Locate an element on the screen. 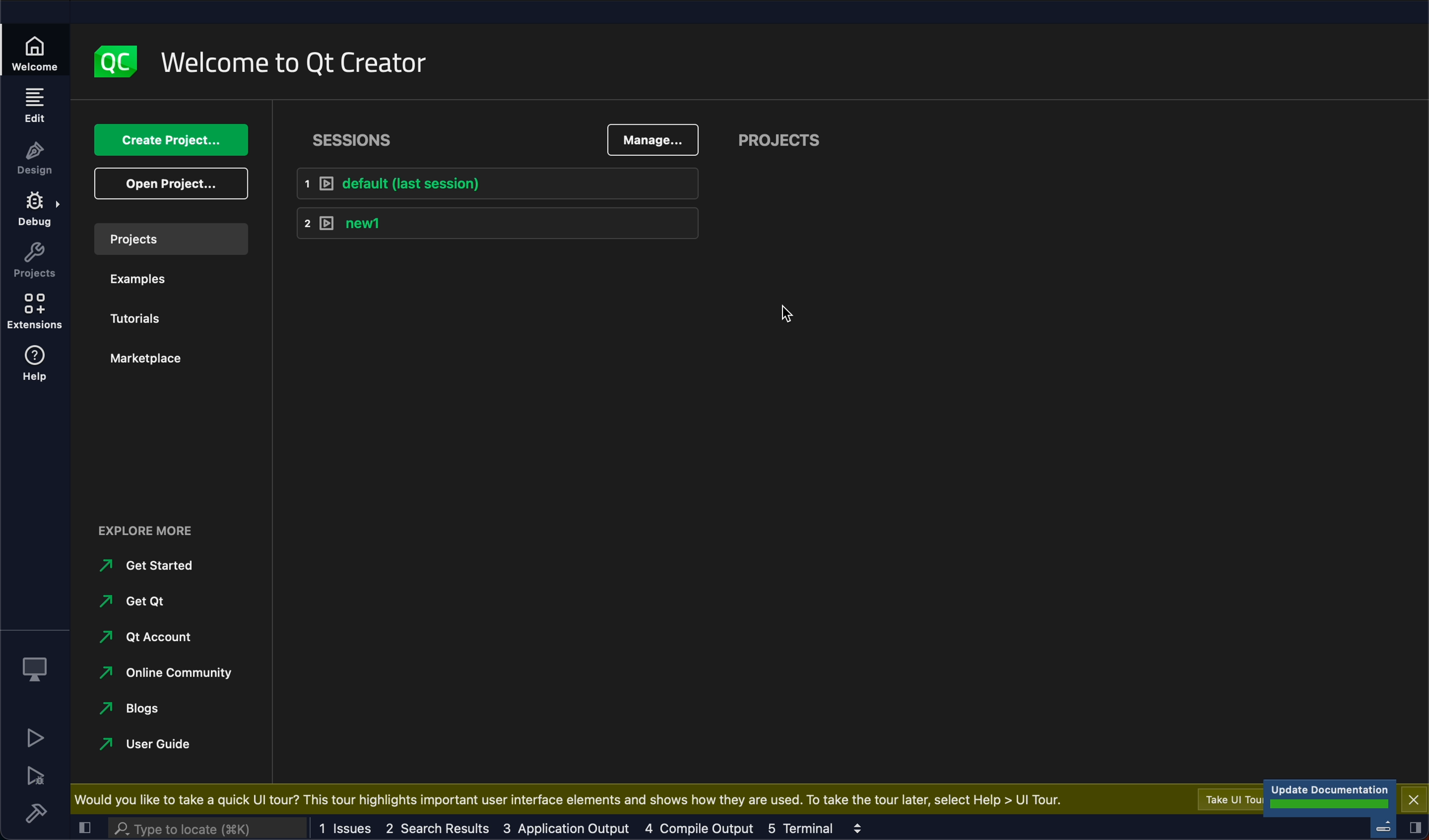 The image size is (1429, 840). extensions is located at coordinates (35, 313).